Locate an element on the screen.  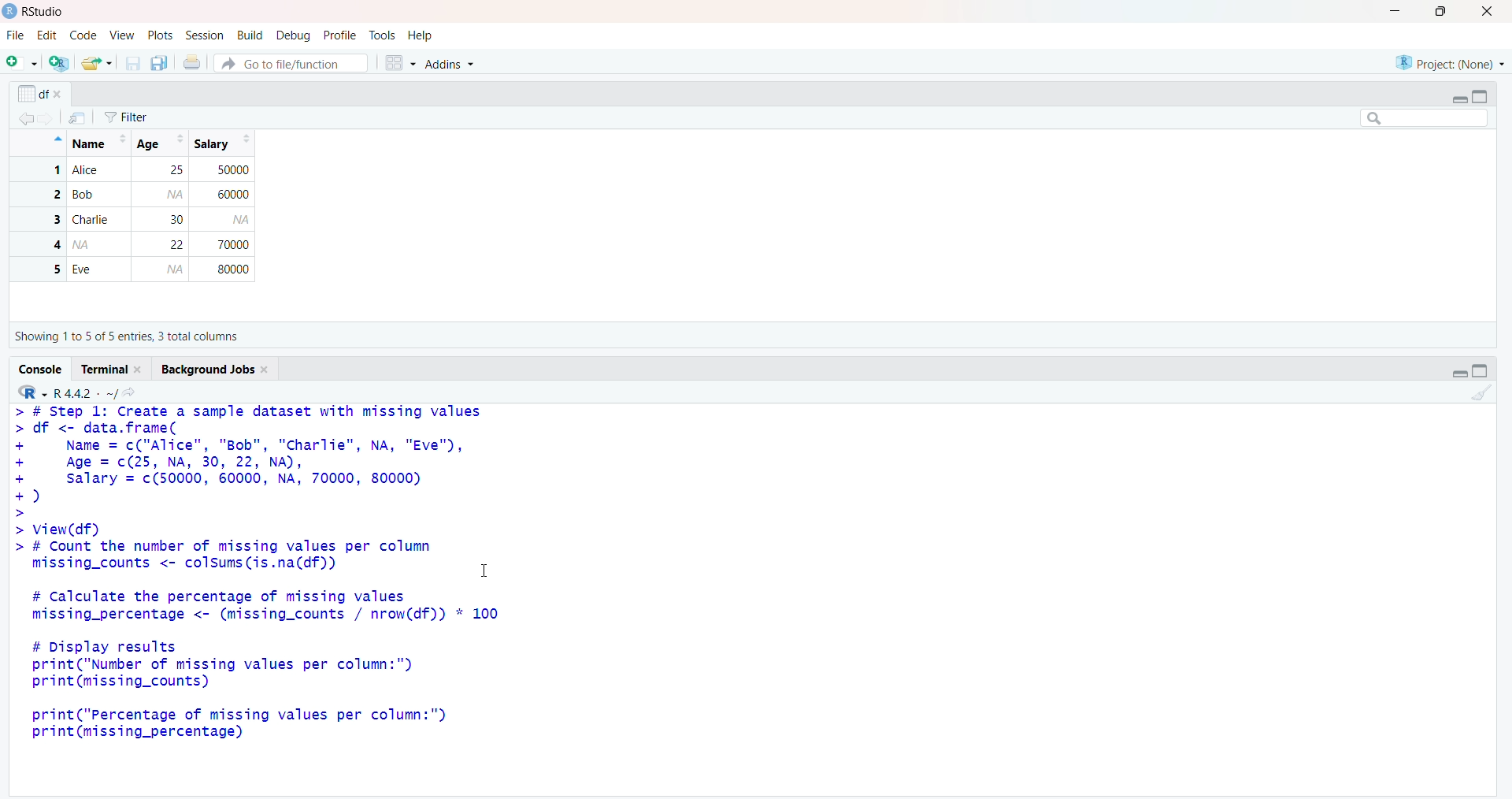
Tools is located at coordinates (384, 35).